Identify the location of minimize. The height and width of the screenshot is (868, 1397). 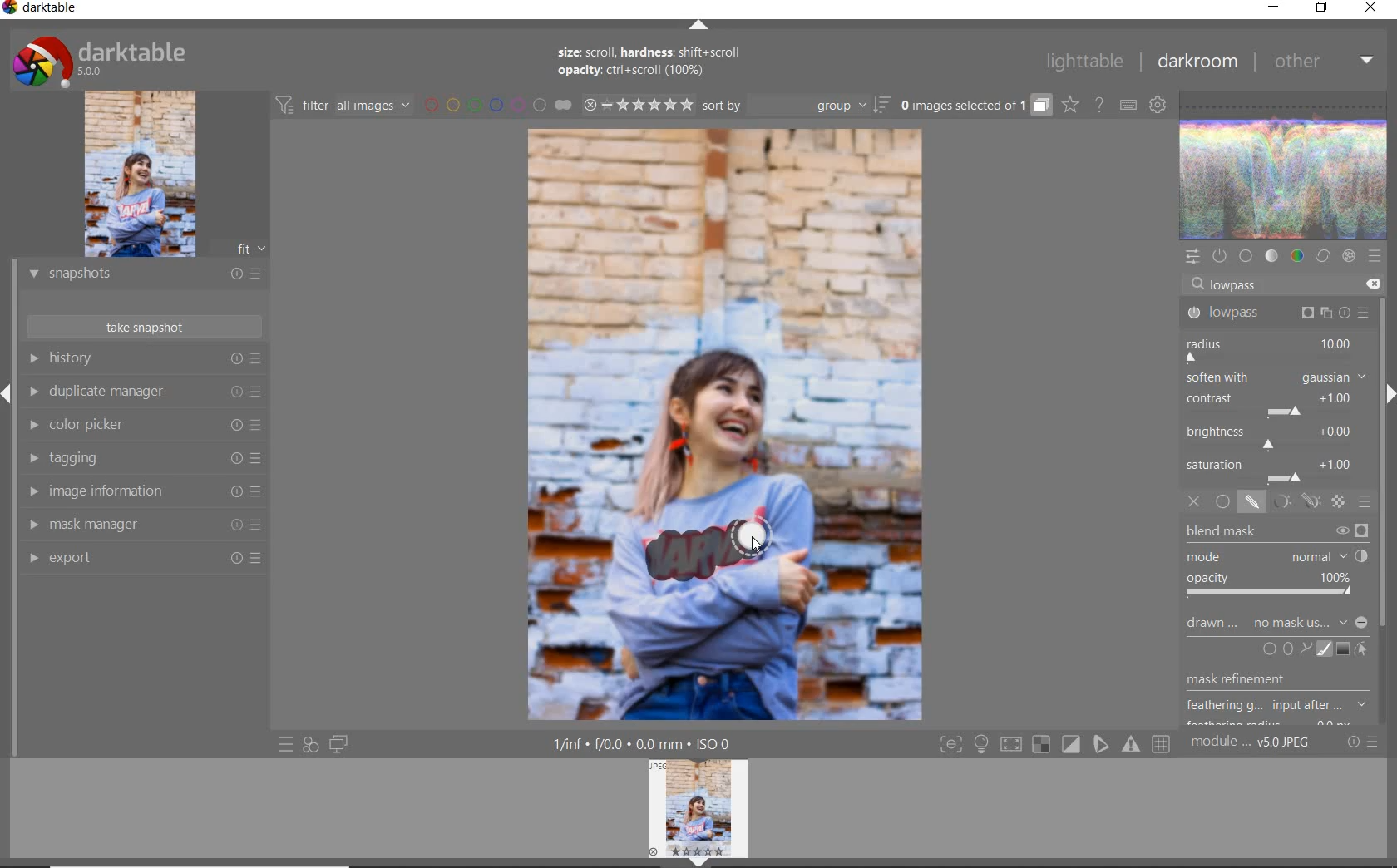
(1275, 8).